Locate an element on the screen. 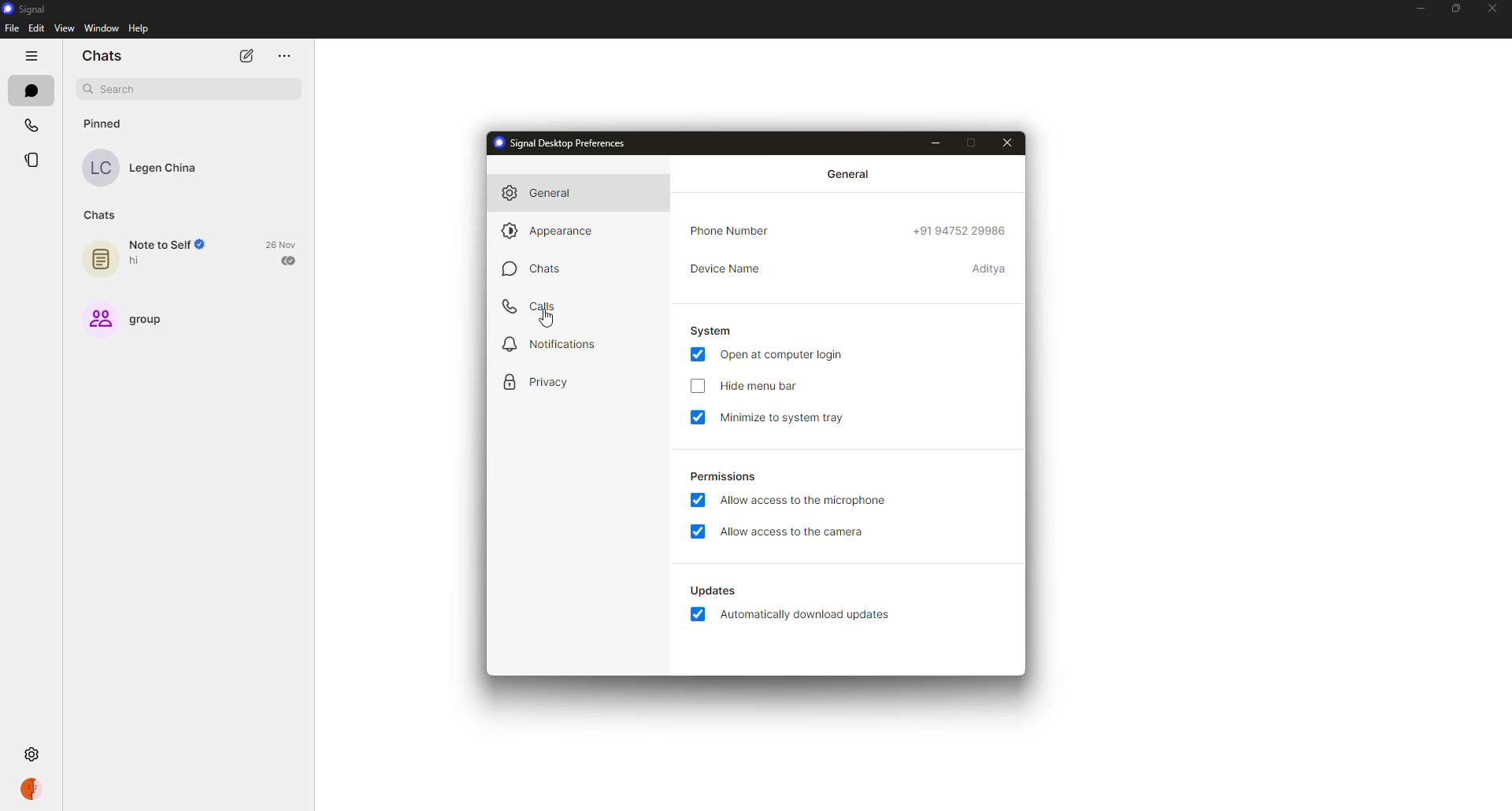  close is located at coordinates (1494, 9).